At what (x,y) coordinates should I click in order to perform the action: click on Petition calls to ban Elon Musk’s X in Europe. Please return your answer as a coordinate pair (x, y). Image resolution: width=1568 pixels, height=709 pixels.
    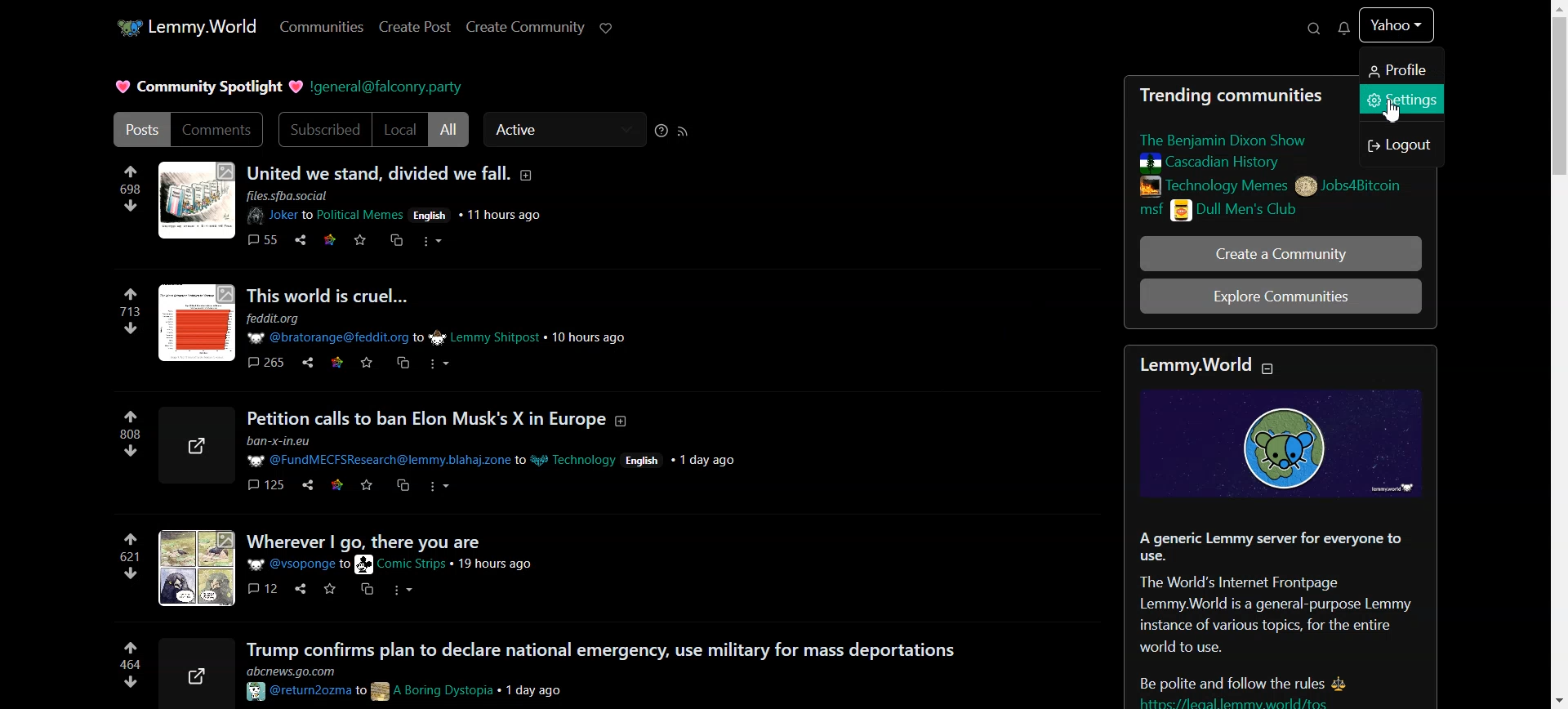
    Looking at the image, I should click on (429, 417).